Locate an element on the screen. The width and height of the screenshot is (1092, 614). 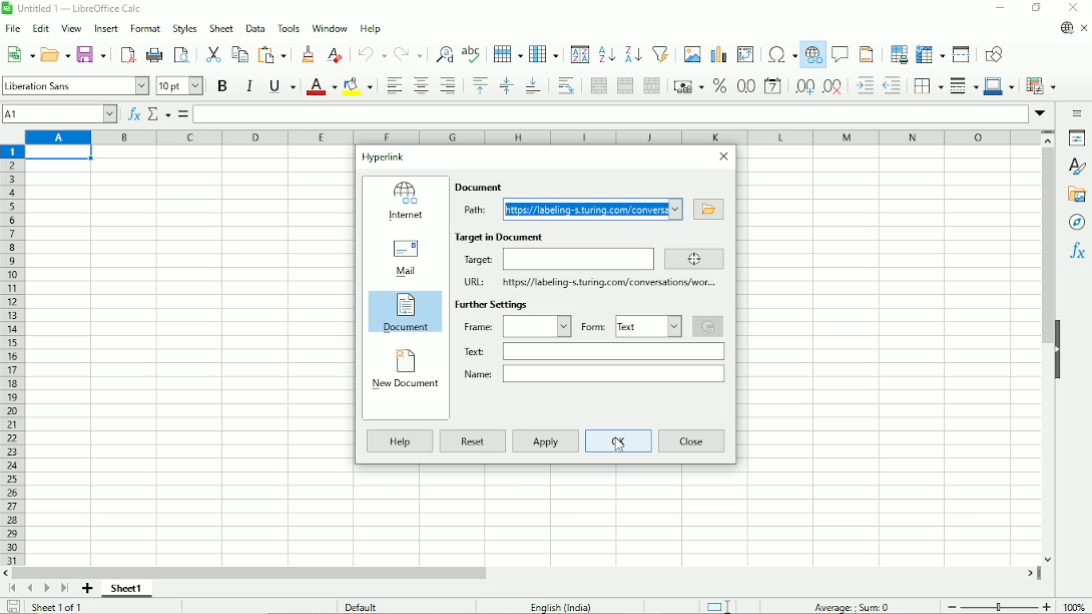
Border style is located at coordinates (964, 86).